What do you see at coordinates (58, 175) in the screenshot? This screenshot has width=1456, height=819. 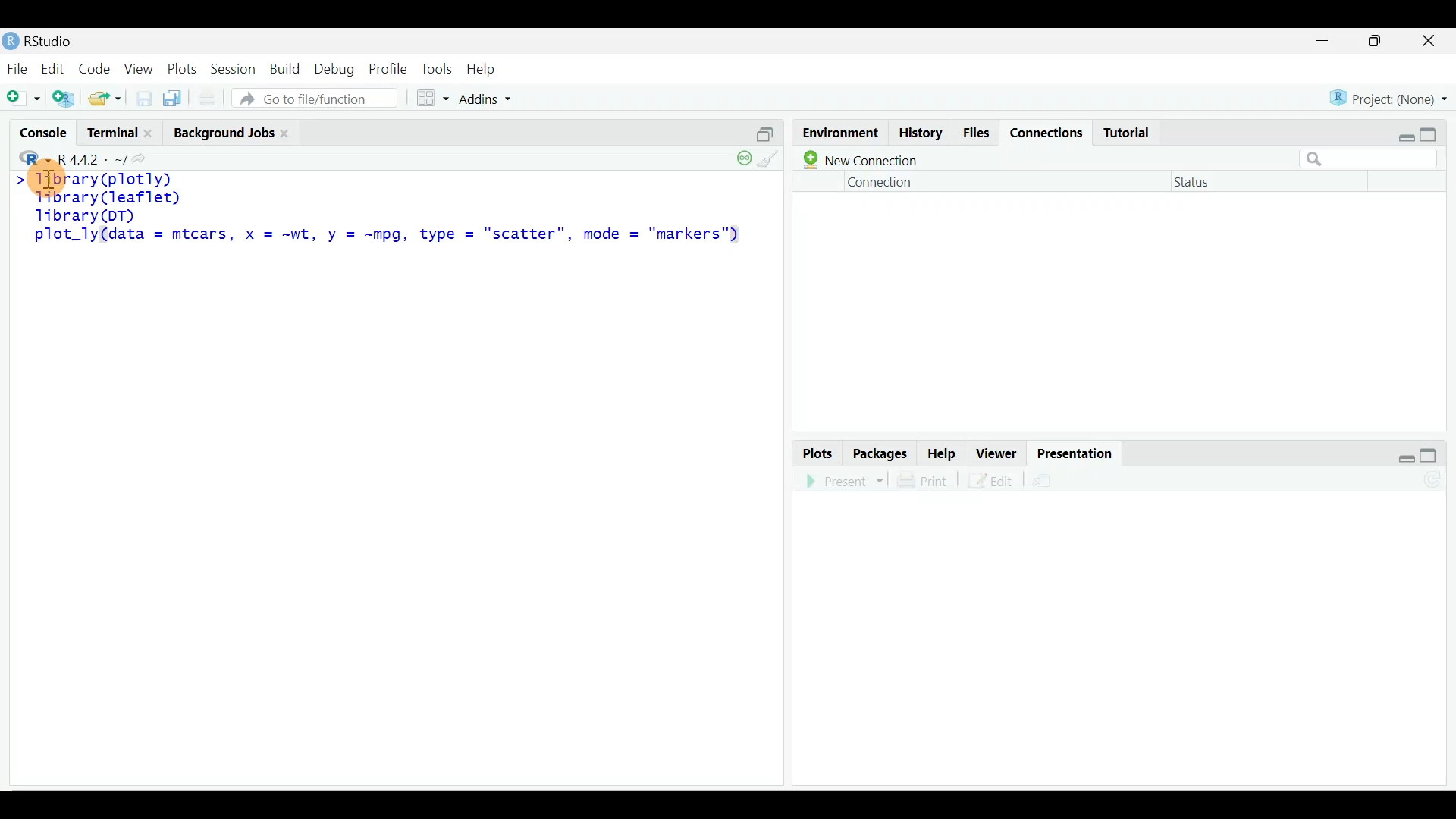 I see `Cursor` at bounding box center [58, 175].